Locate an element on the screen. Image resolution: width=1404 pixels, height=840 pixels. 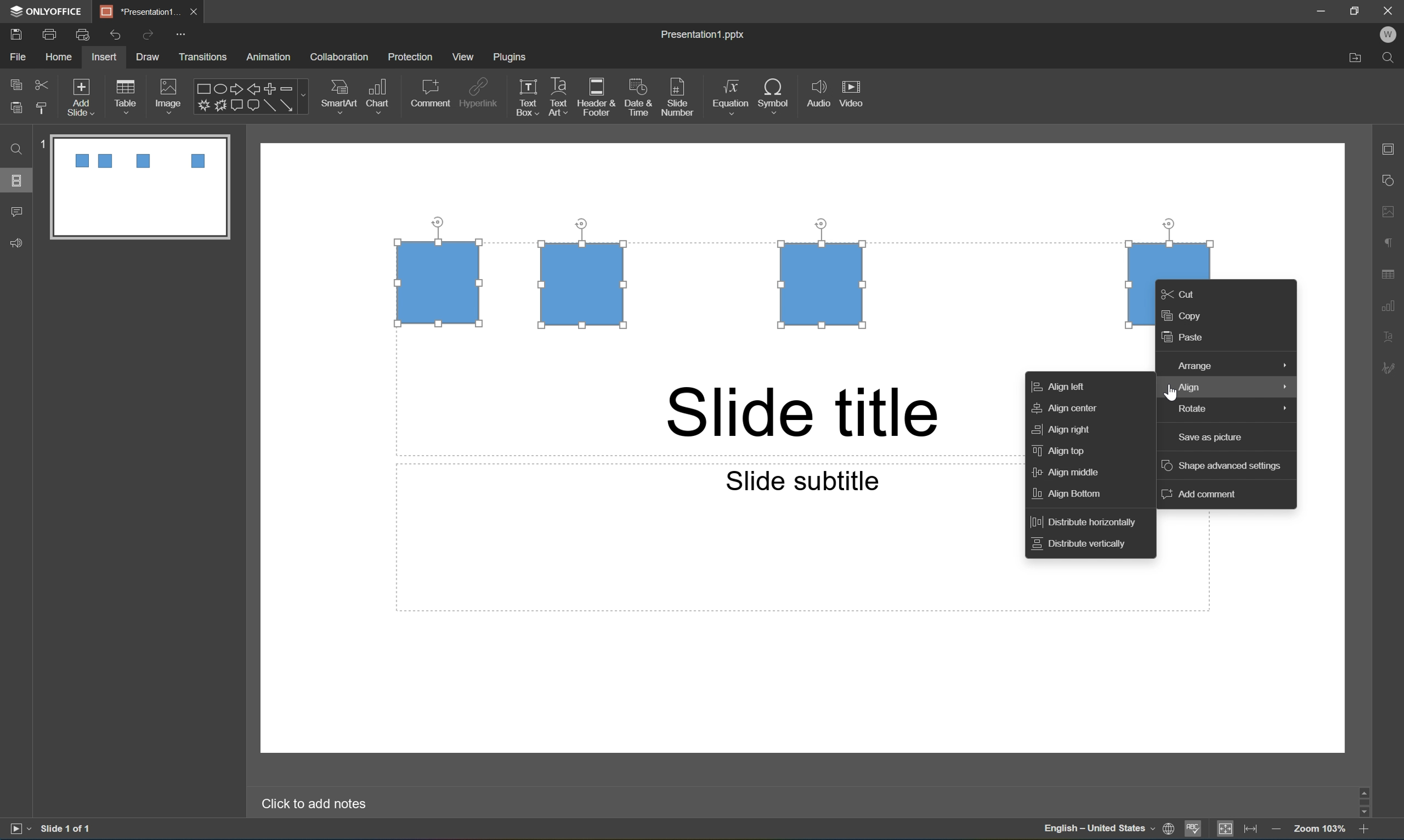
4 Squares selected is located at coordinates (764, 276).